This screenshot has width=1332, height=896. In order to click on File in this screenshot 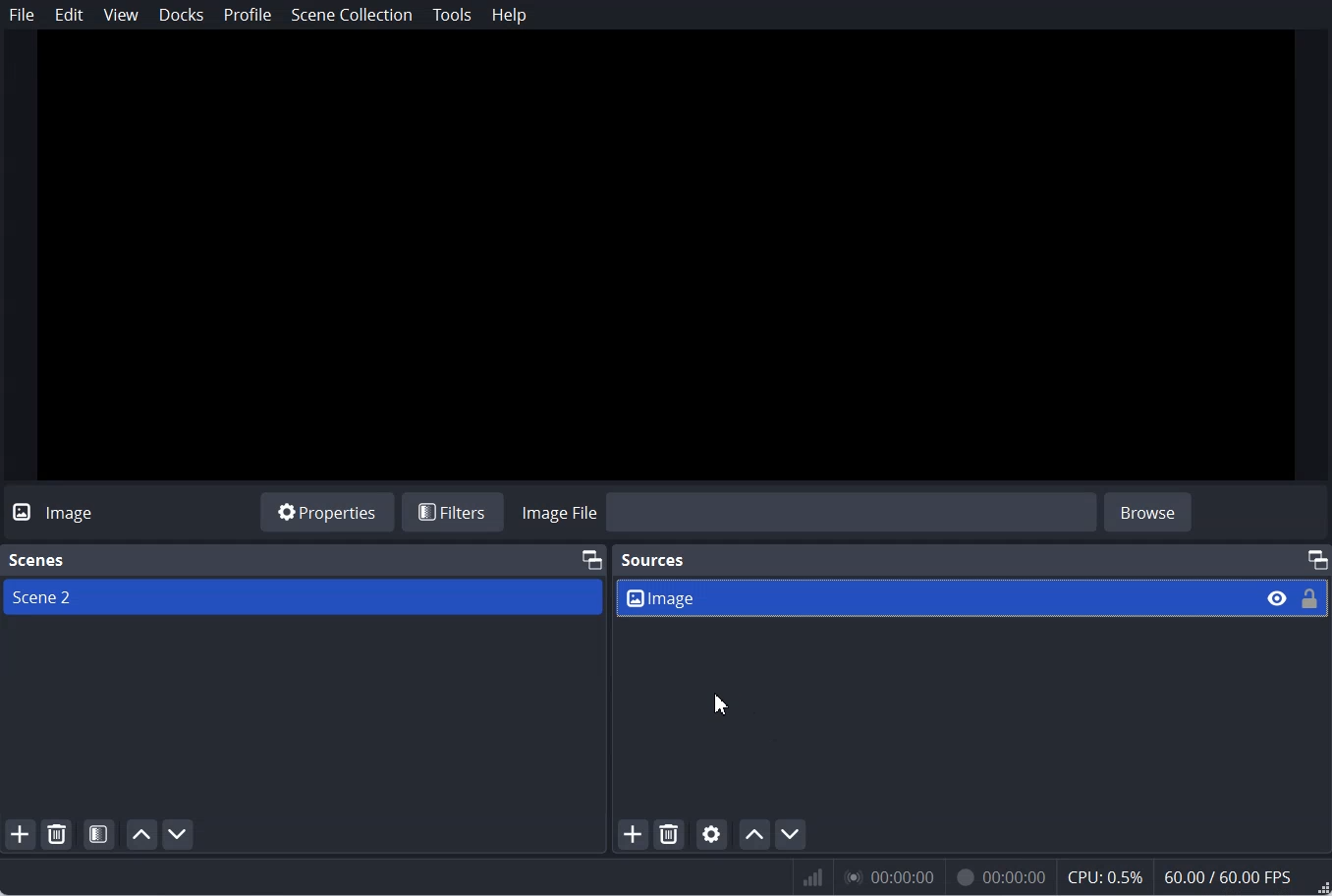, I will do `click(22, 15)`.